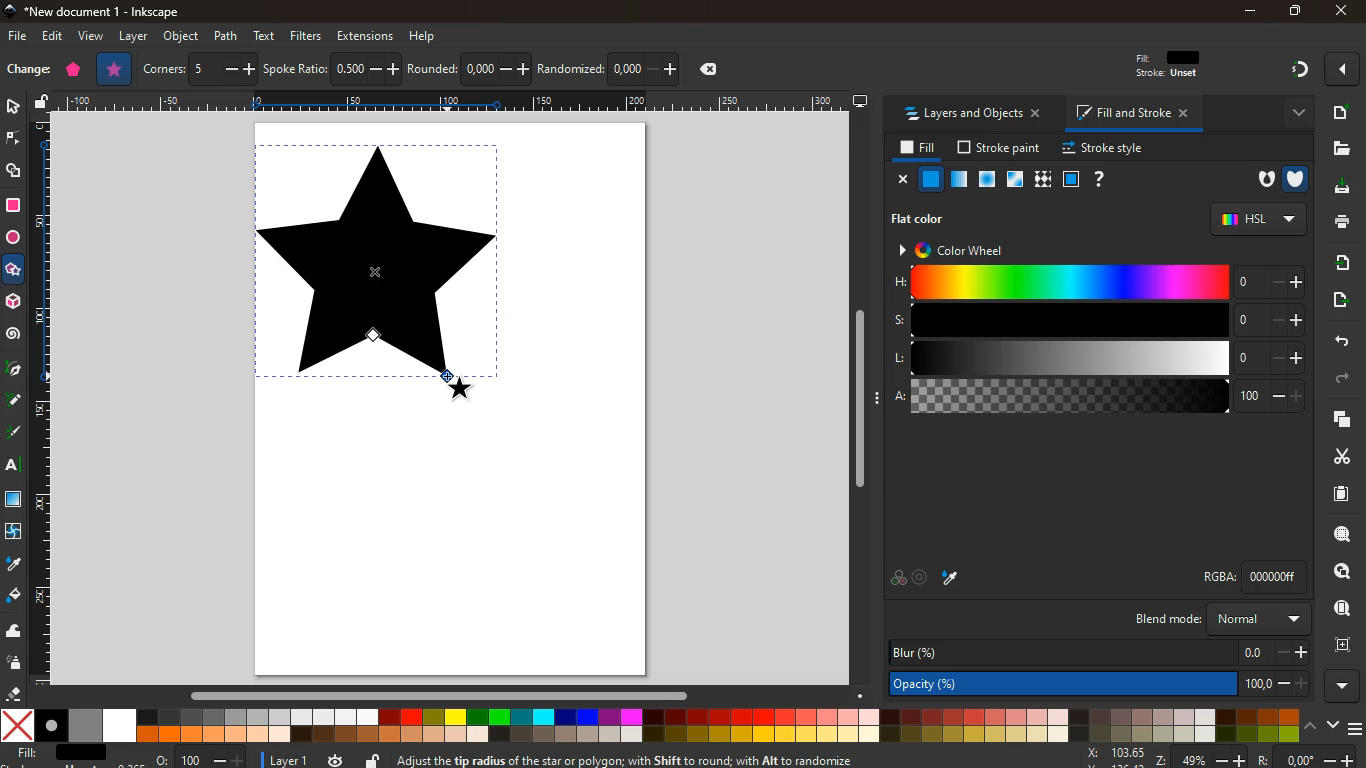  Describe the element at coordinates (1310, 725) in the screenshot. I see `up` at that location.